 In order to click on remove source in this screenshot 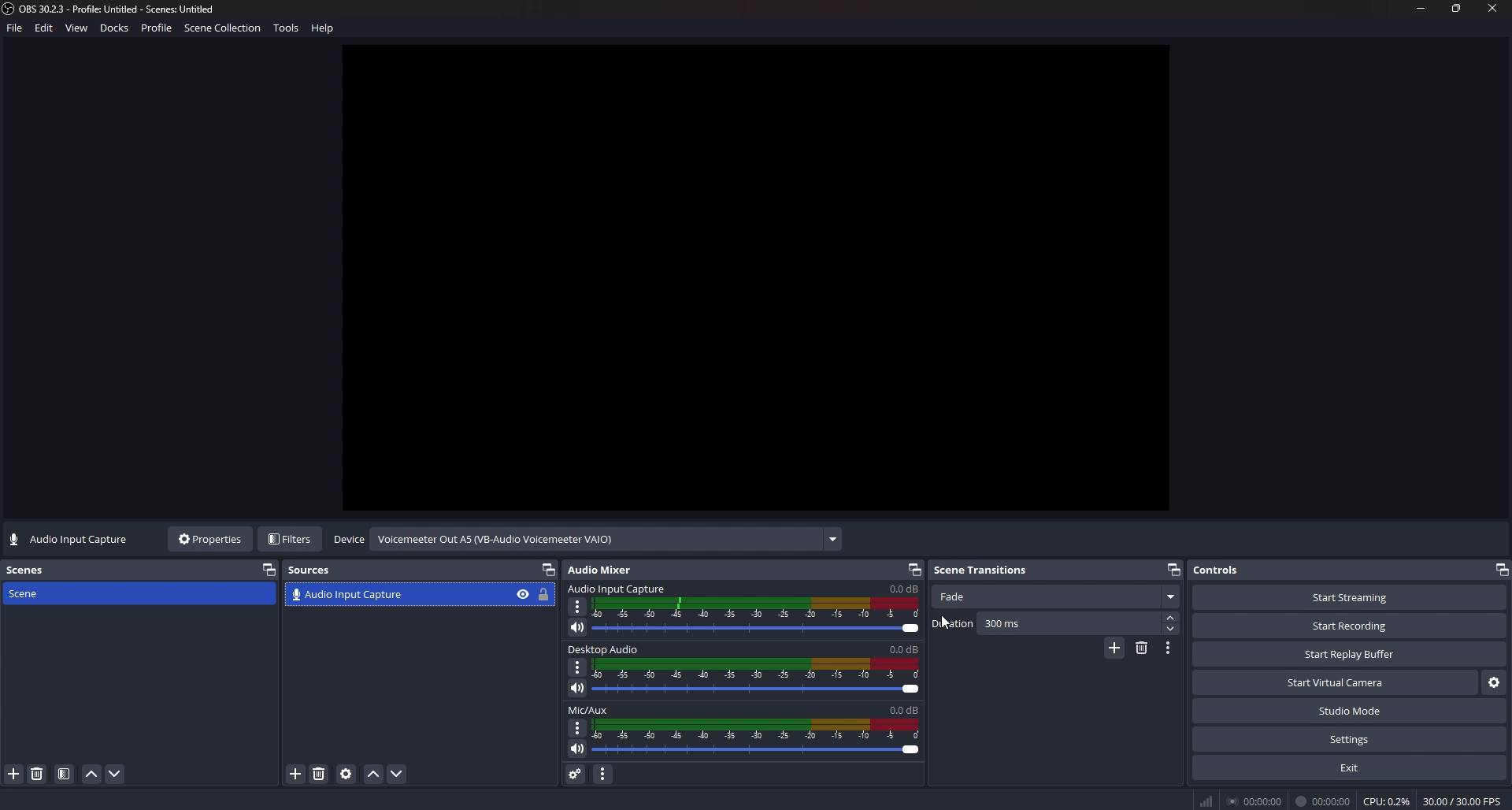, I will do `click(319, 774)`.